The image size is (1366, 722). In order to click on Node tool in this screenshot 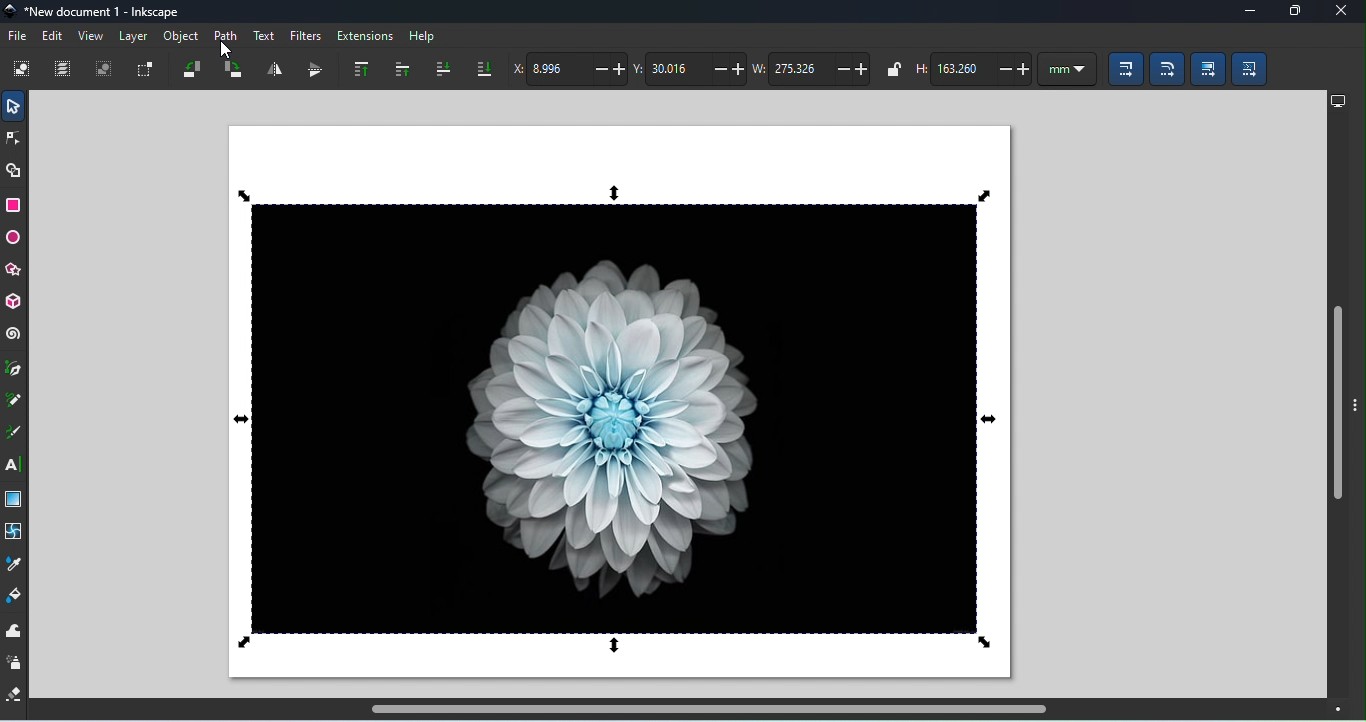, I will do `click(16, 137)`.